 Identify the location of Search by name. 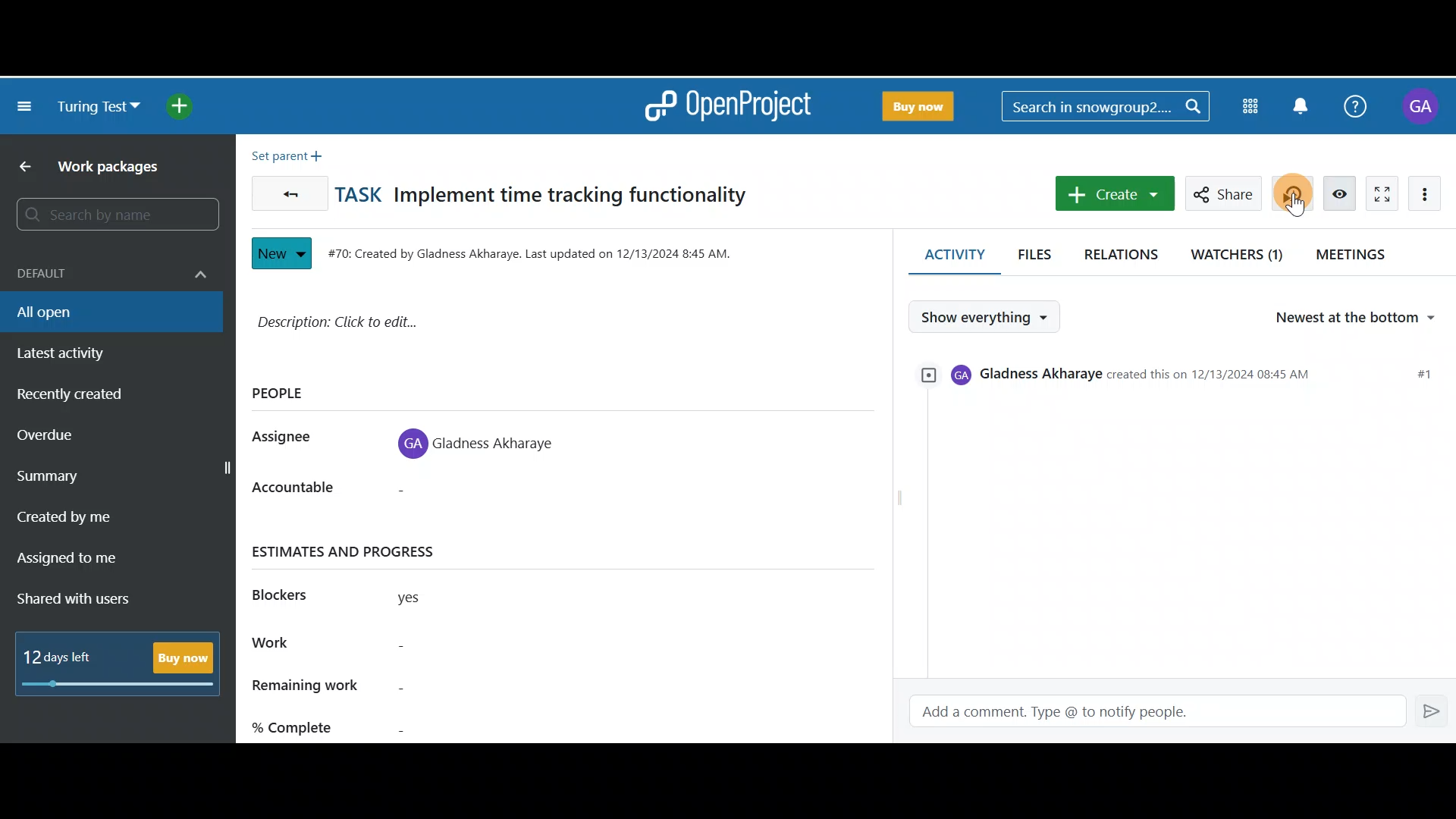
(114, 215).